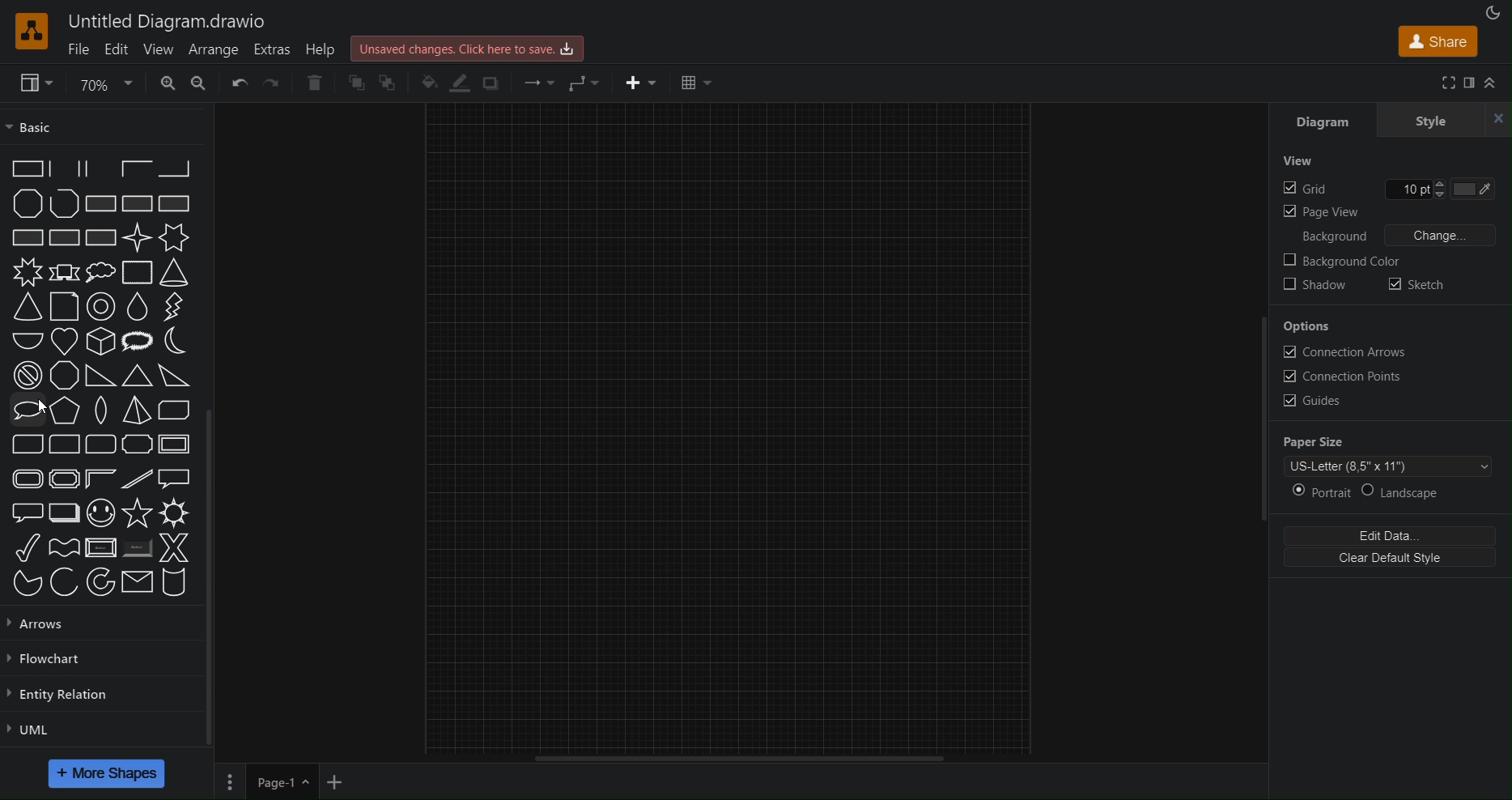  Describe the element at coordinates (32, 30) in the screenshot. I see `Logo` at that location.